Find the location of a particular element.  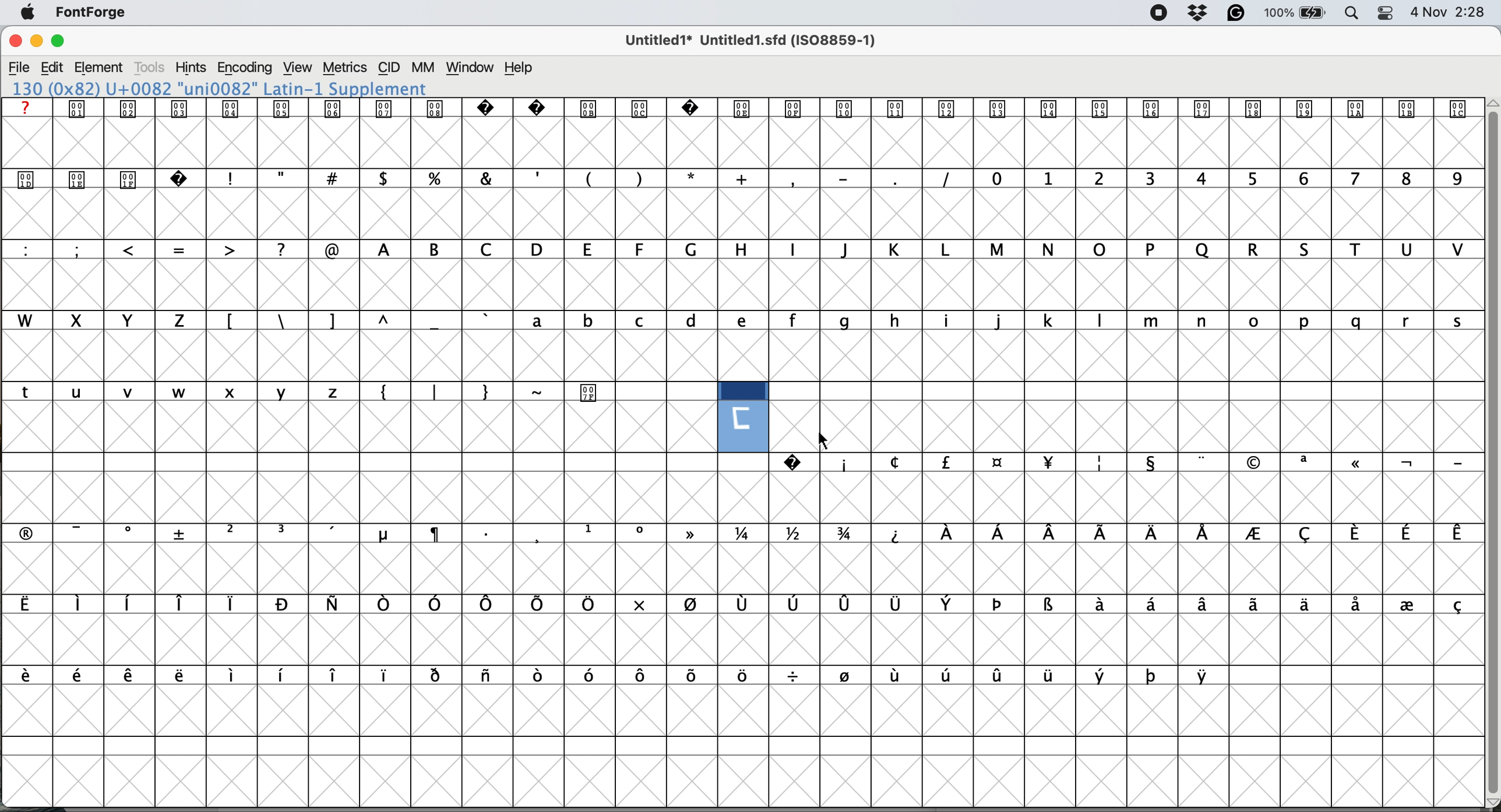

cursor is located at coordinates (826, 442).